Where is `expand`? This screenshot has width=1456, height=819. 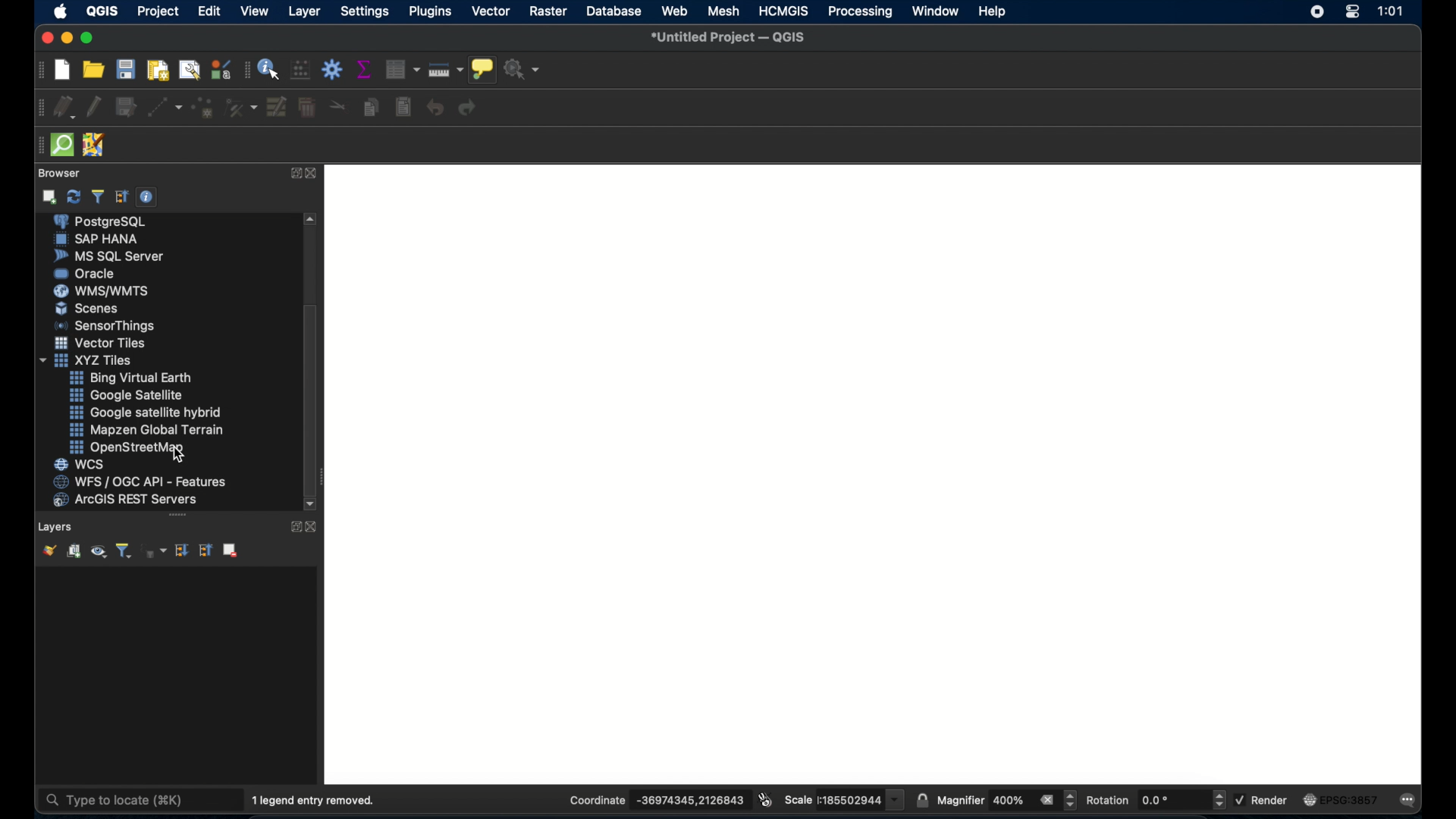 expand is located at coordinates (293, 174).